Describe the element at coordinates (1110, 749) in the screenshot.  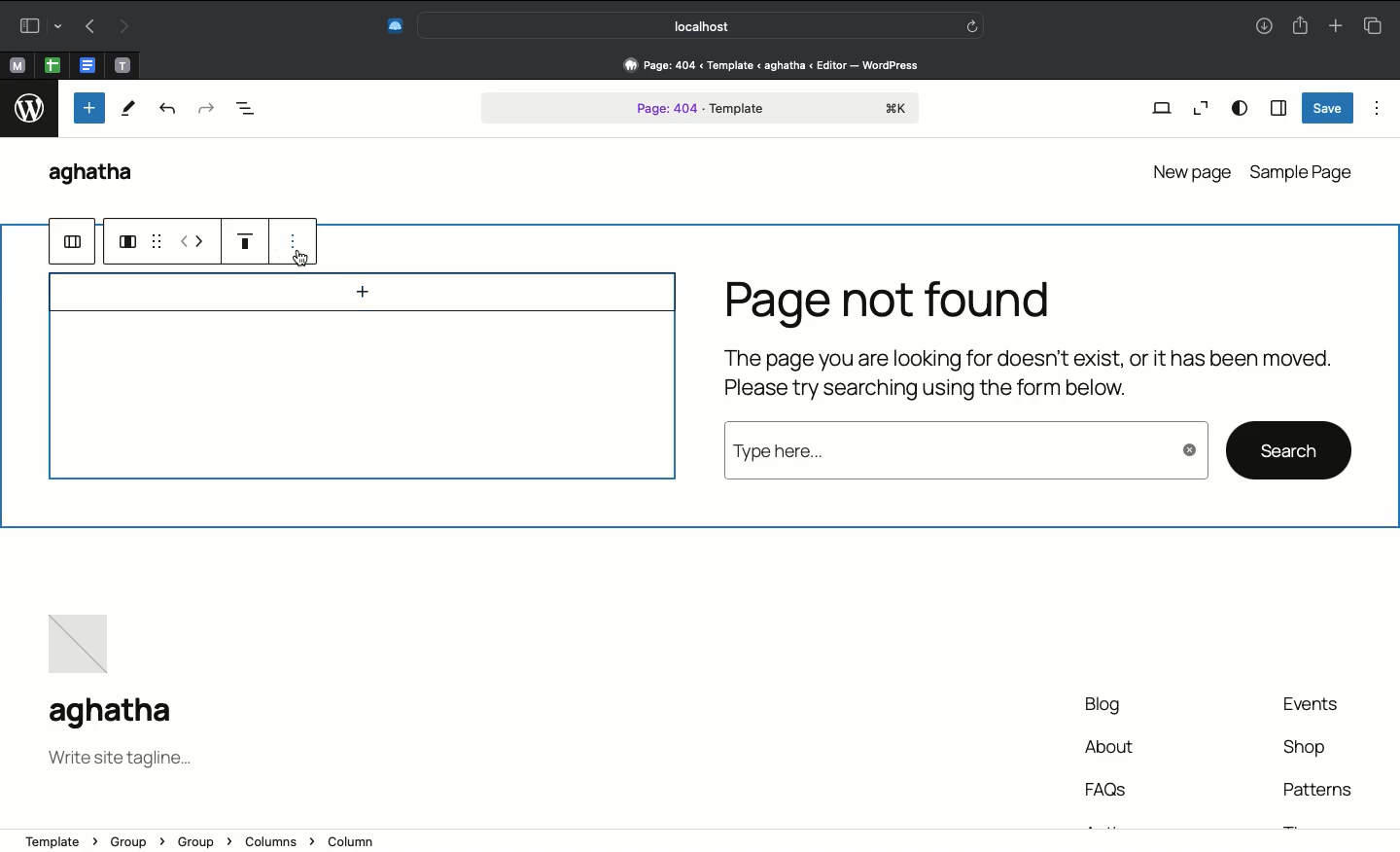
I see `About` at that location.